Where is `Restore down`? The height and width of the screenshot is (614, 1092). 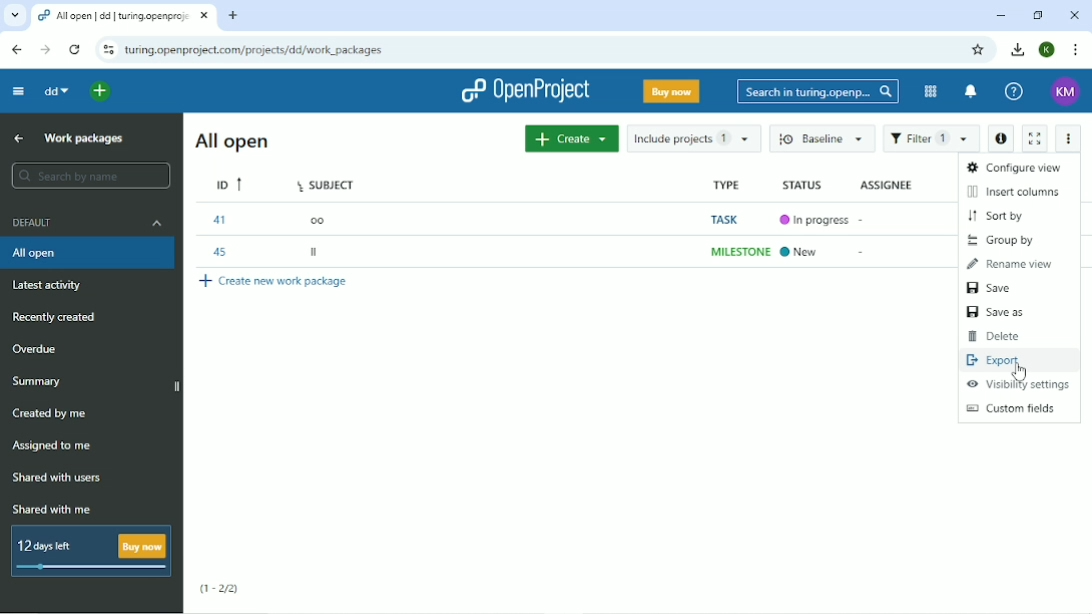
Restore down is located at coordinates (1038, 14).